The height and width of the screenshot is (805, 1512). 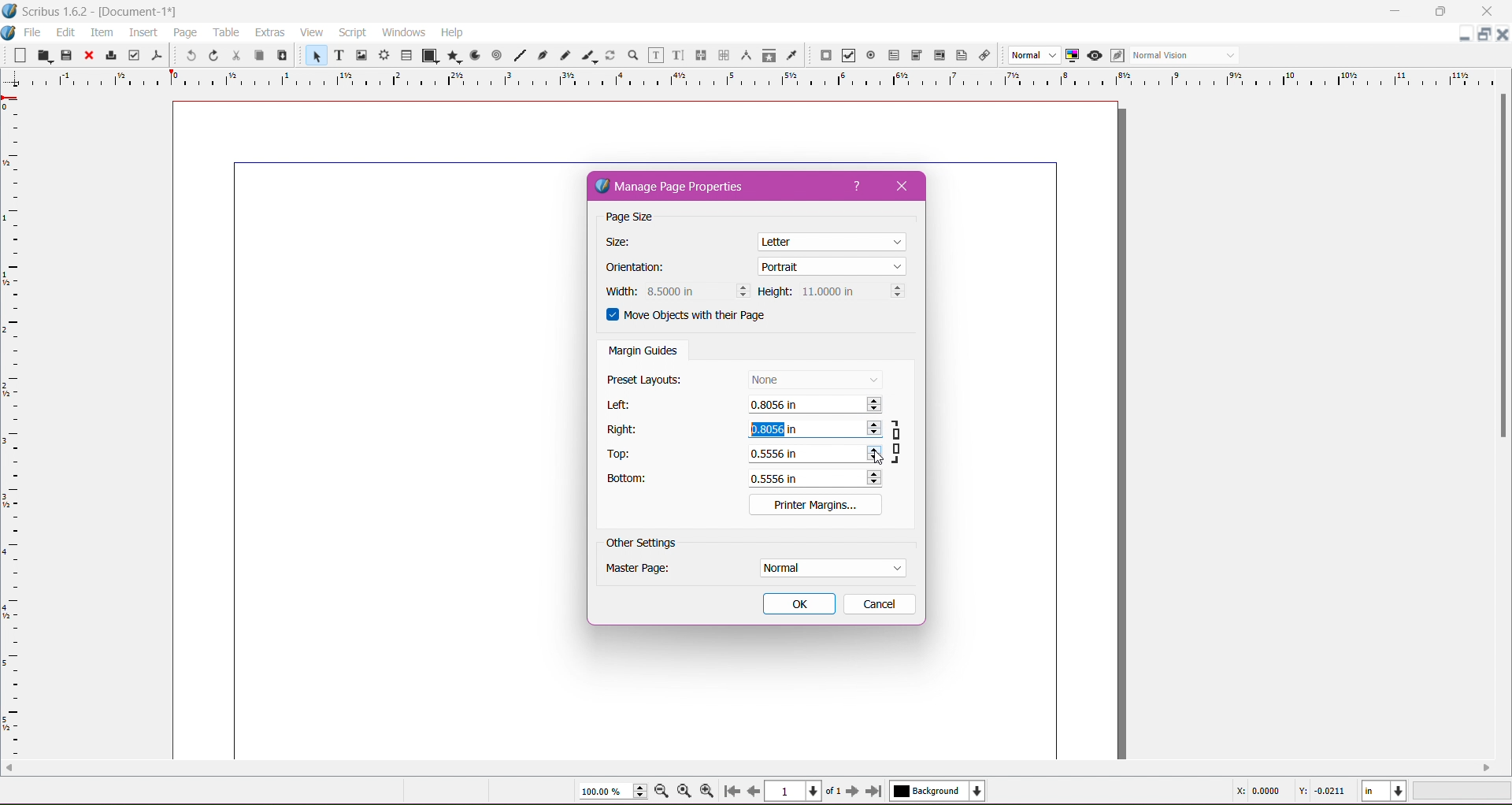 I want to click on Text Annotation, so click(x=960, y=56).